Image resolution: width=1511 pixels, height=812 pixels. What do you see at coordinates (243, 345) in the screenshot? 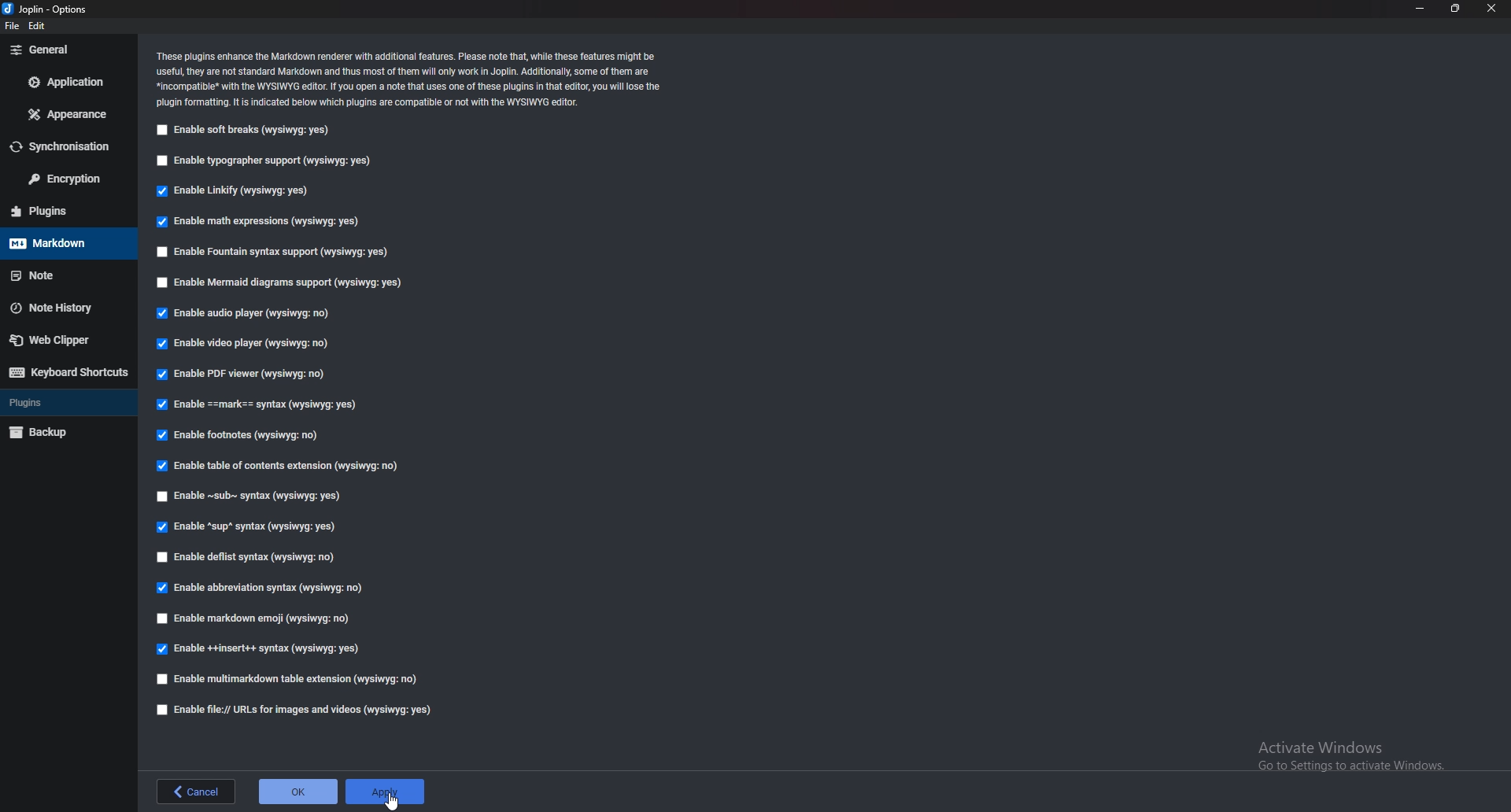
I see `Enable video player` at bounding box center [243, 345].